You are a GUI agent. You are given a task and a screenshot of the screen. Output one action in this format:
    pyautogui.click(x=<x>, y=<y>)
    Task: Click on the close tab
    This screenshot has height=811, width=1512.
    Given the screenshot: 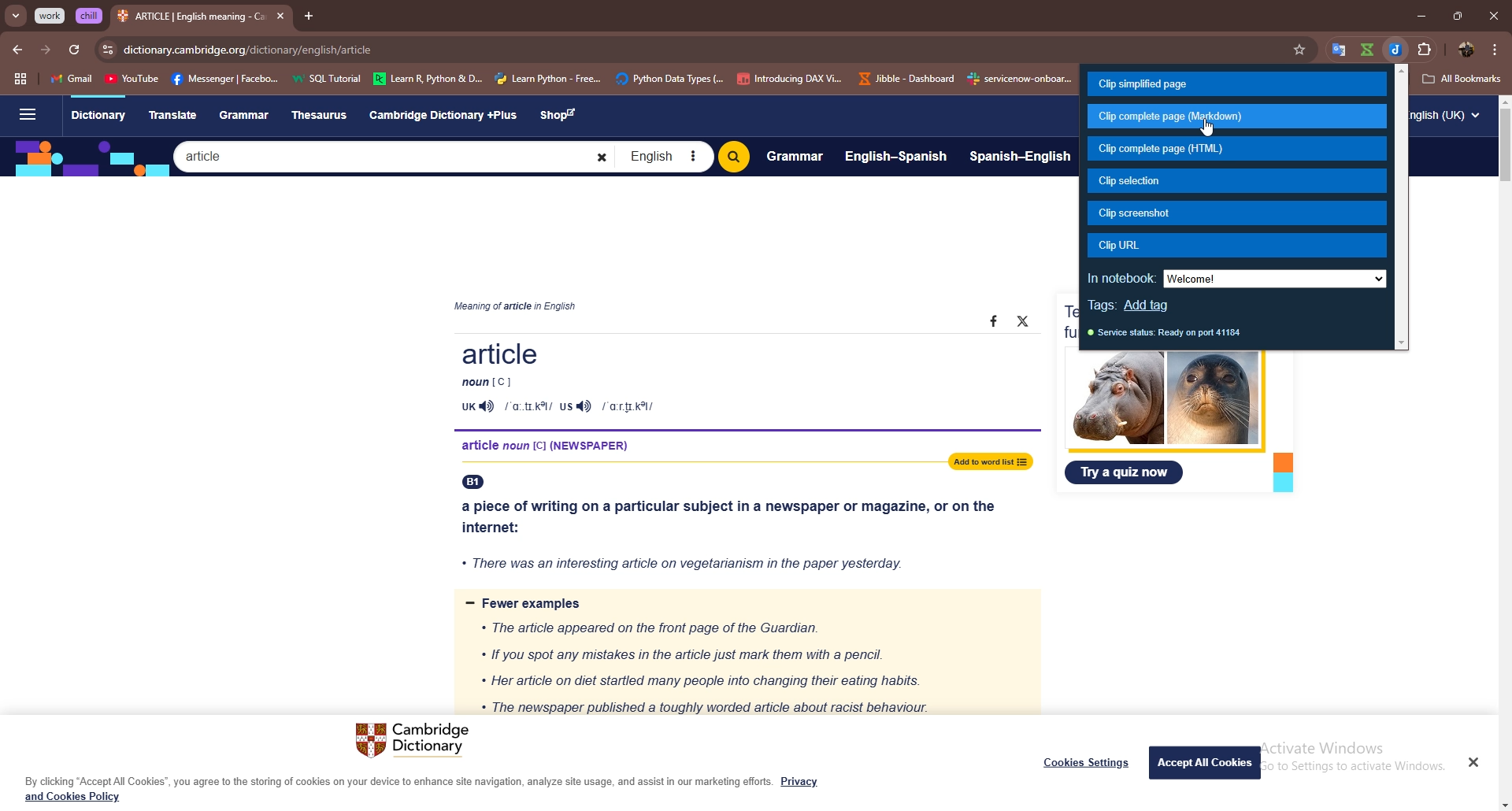 What is the action you would take?
    pyautogui.click(x=280, y=16)
    